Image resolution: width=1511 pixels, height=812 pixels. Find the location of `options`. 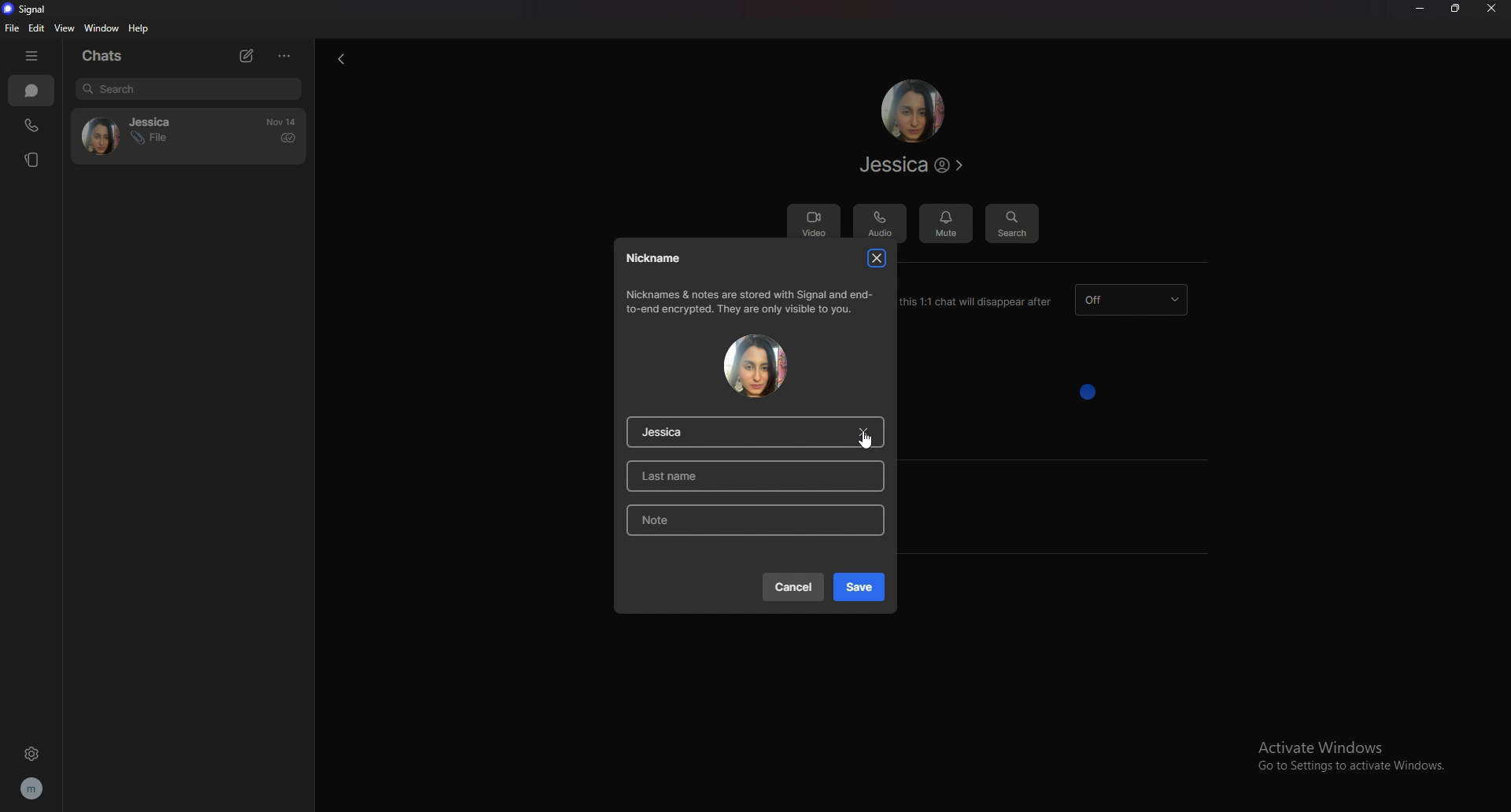

options is located at coordinates (287, 55).